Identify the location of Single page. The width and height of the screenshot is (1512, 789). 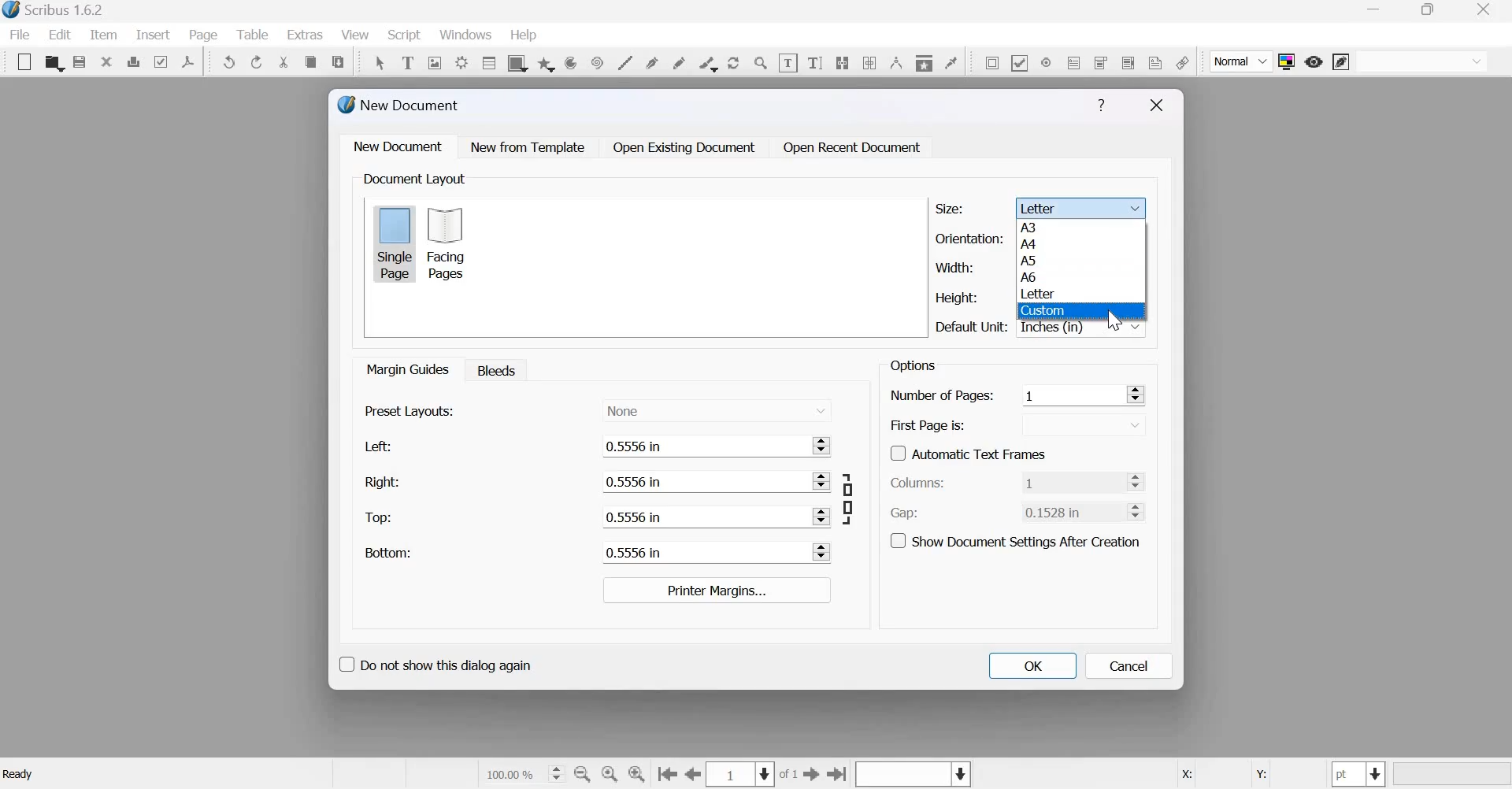
(395, 243).